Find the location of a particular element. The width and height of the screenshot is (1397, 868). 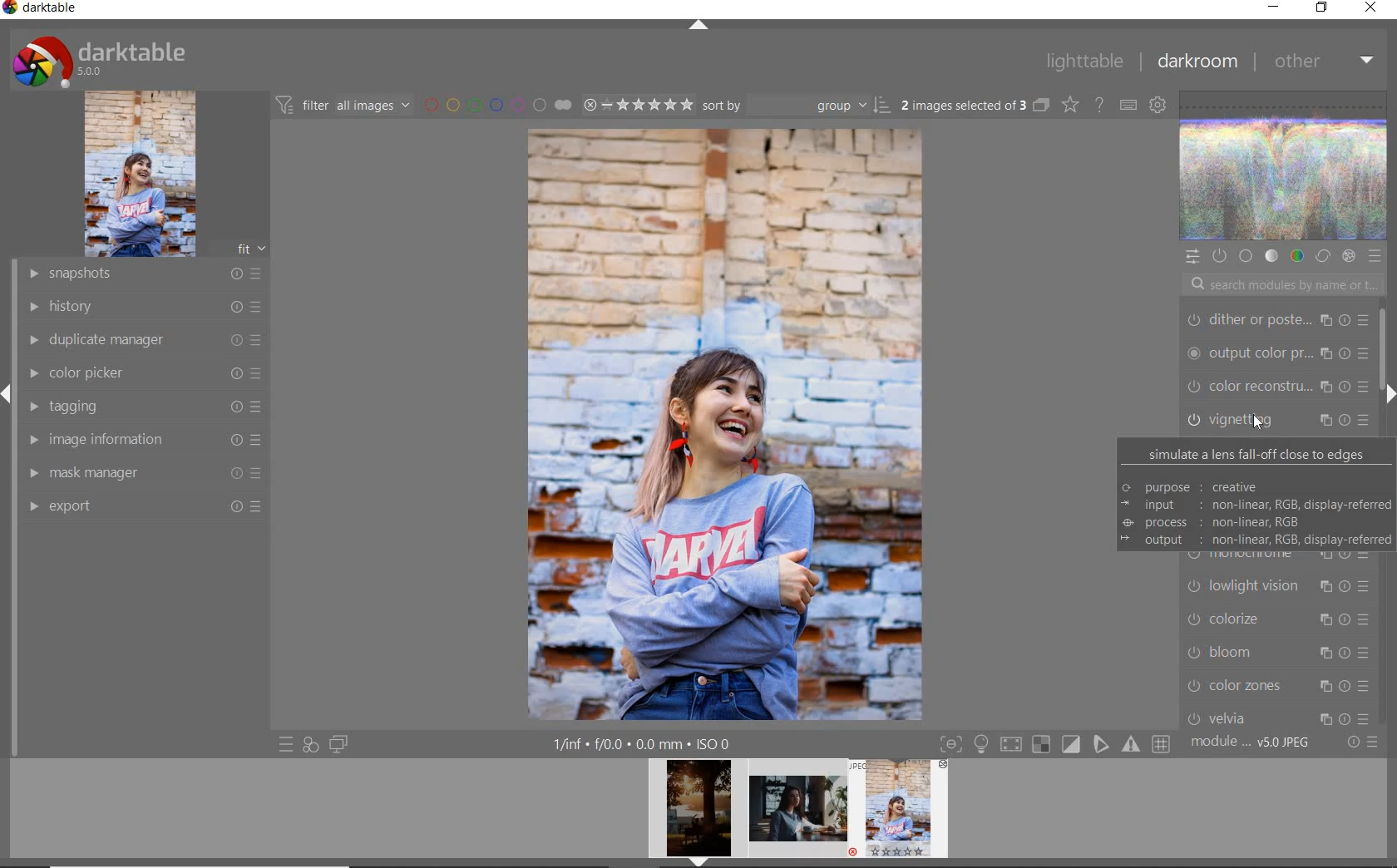

DEFINE KEYBOARD SHORTCUTS is located at coordinates (1128, 105).